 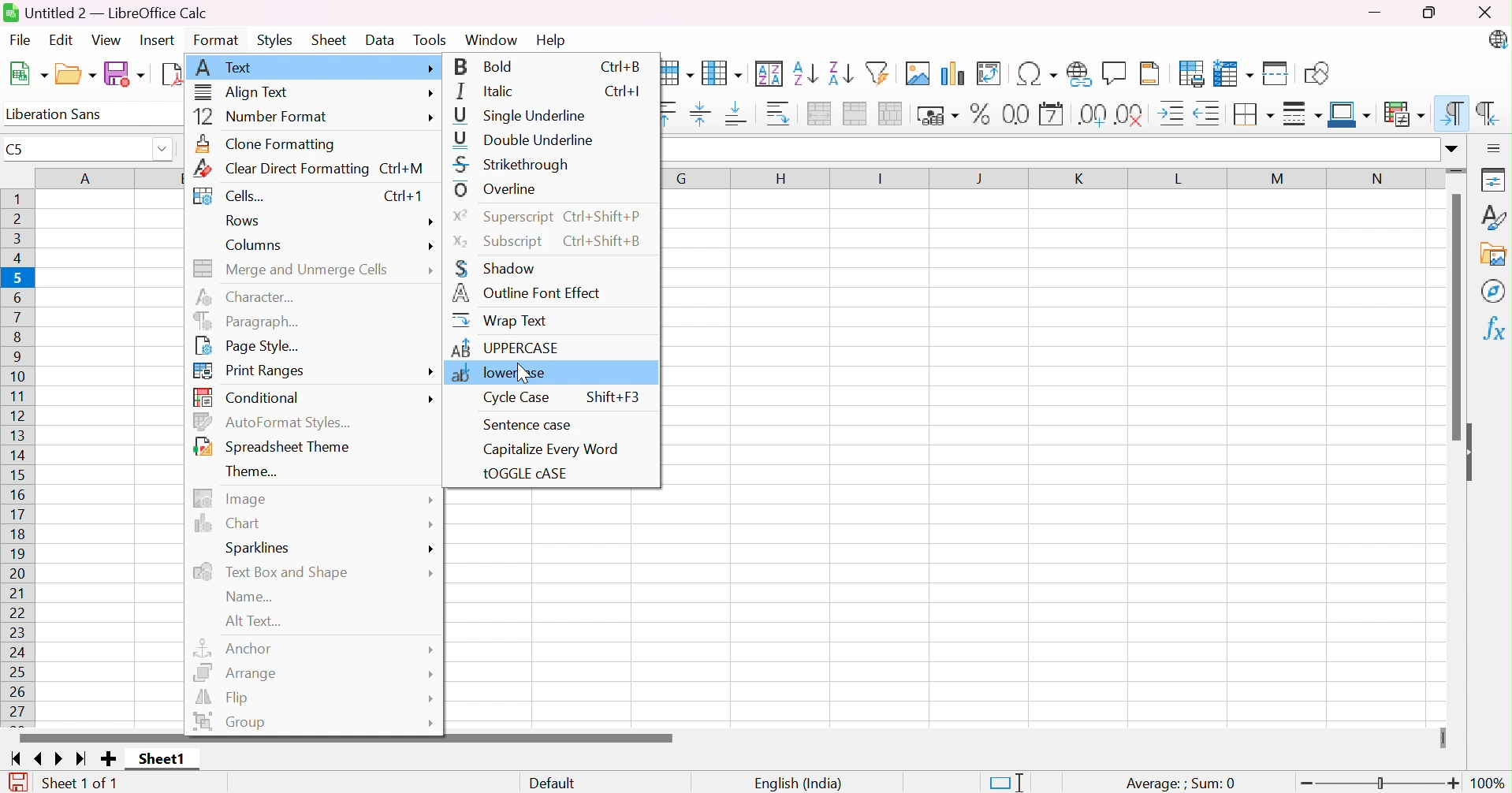 What do you see at coordinates (233, 194) in the screenshot?
I see `Cells...` at bounding box center [233, 194].